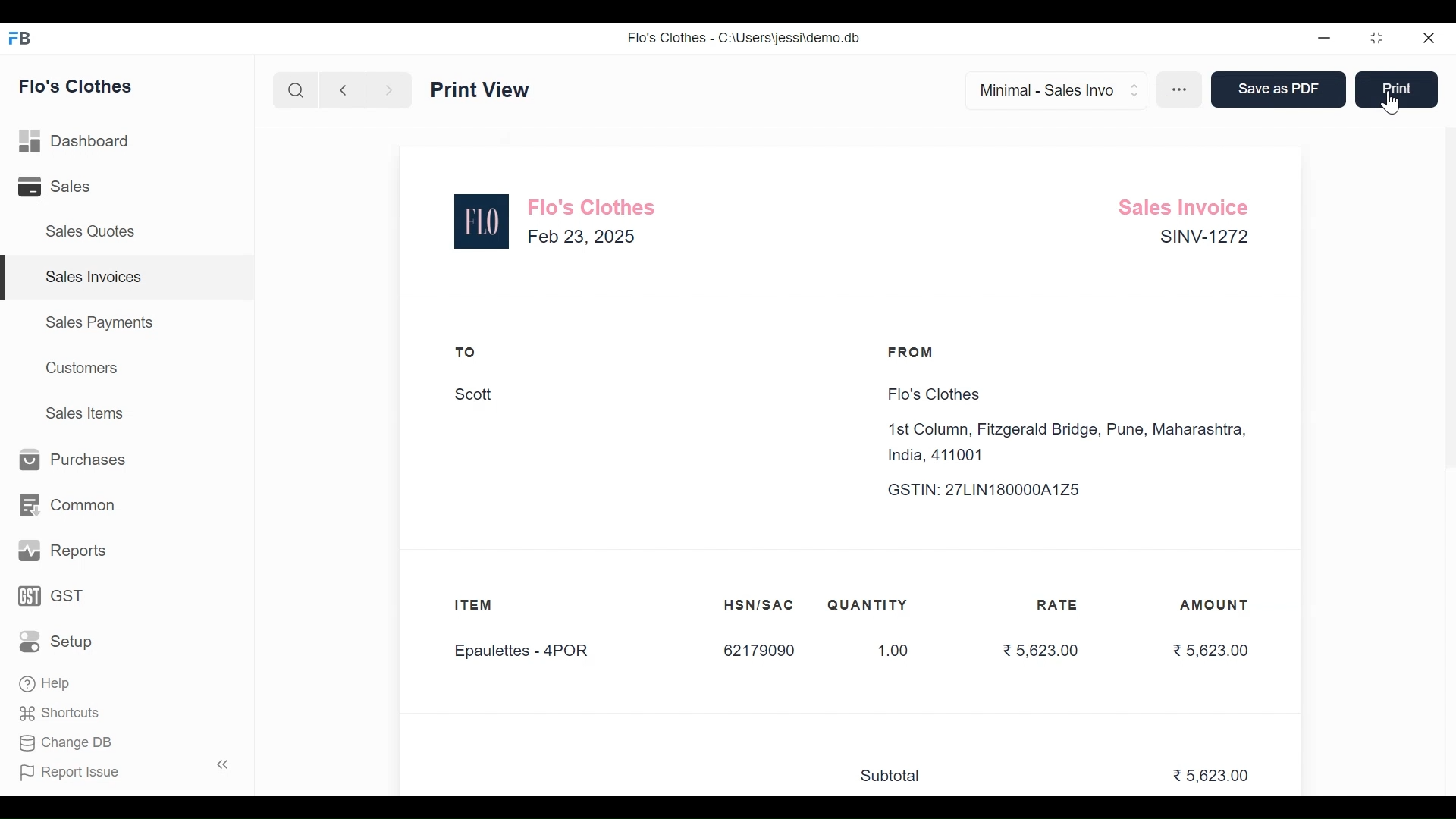 This screenshot has height=819, width=1456. I want to click on Sales Items, so click(84, 413).